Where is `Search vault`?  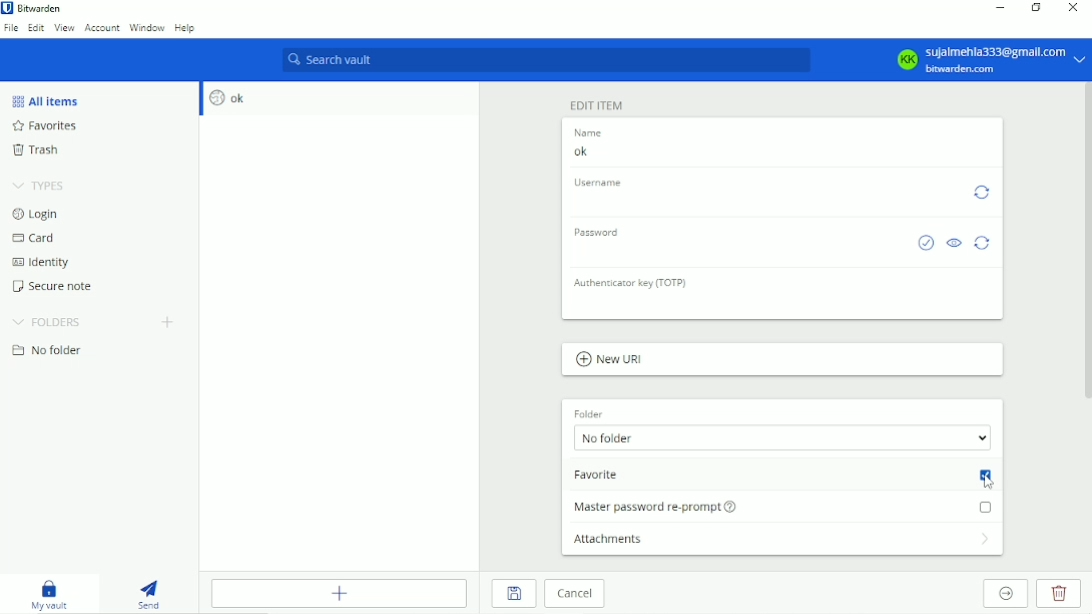 Search vault is located at coordinates (543, 59).